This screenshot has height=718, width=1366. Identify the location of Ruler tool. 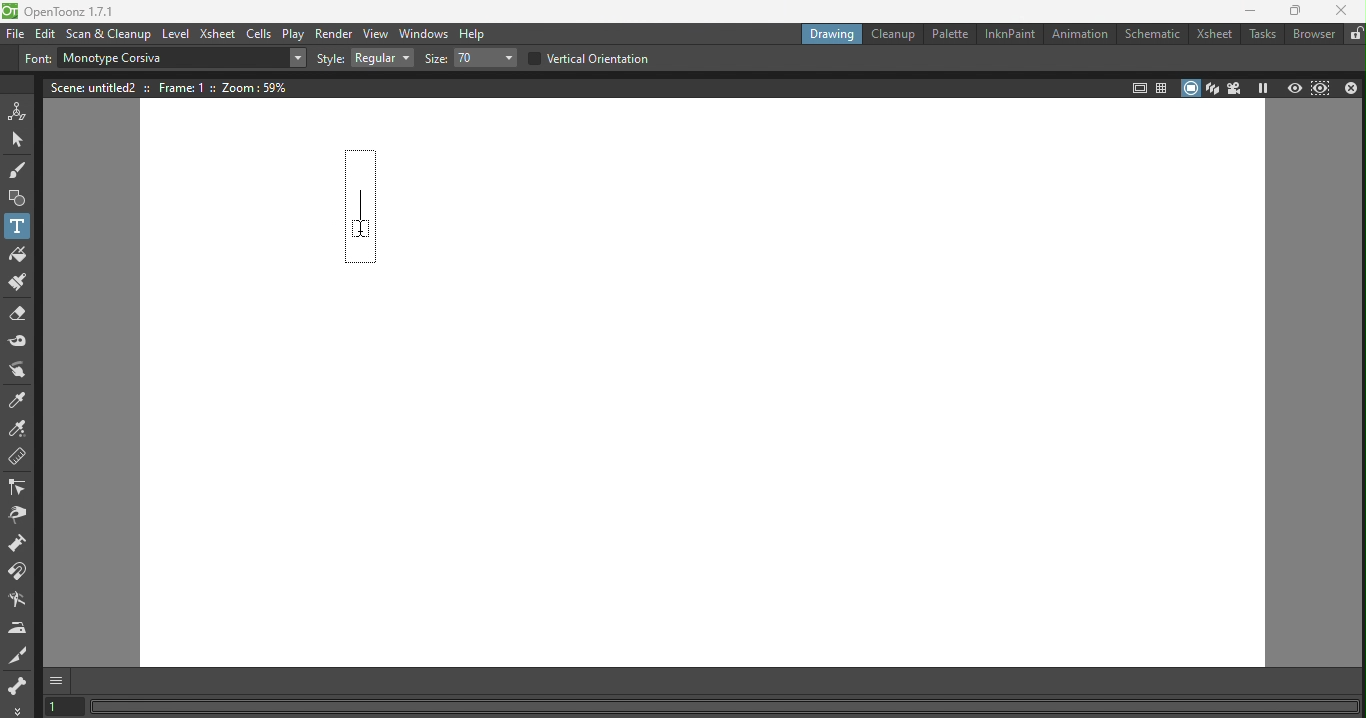
(18, 457).